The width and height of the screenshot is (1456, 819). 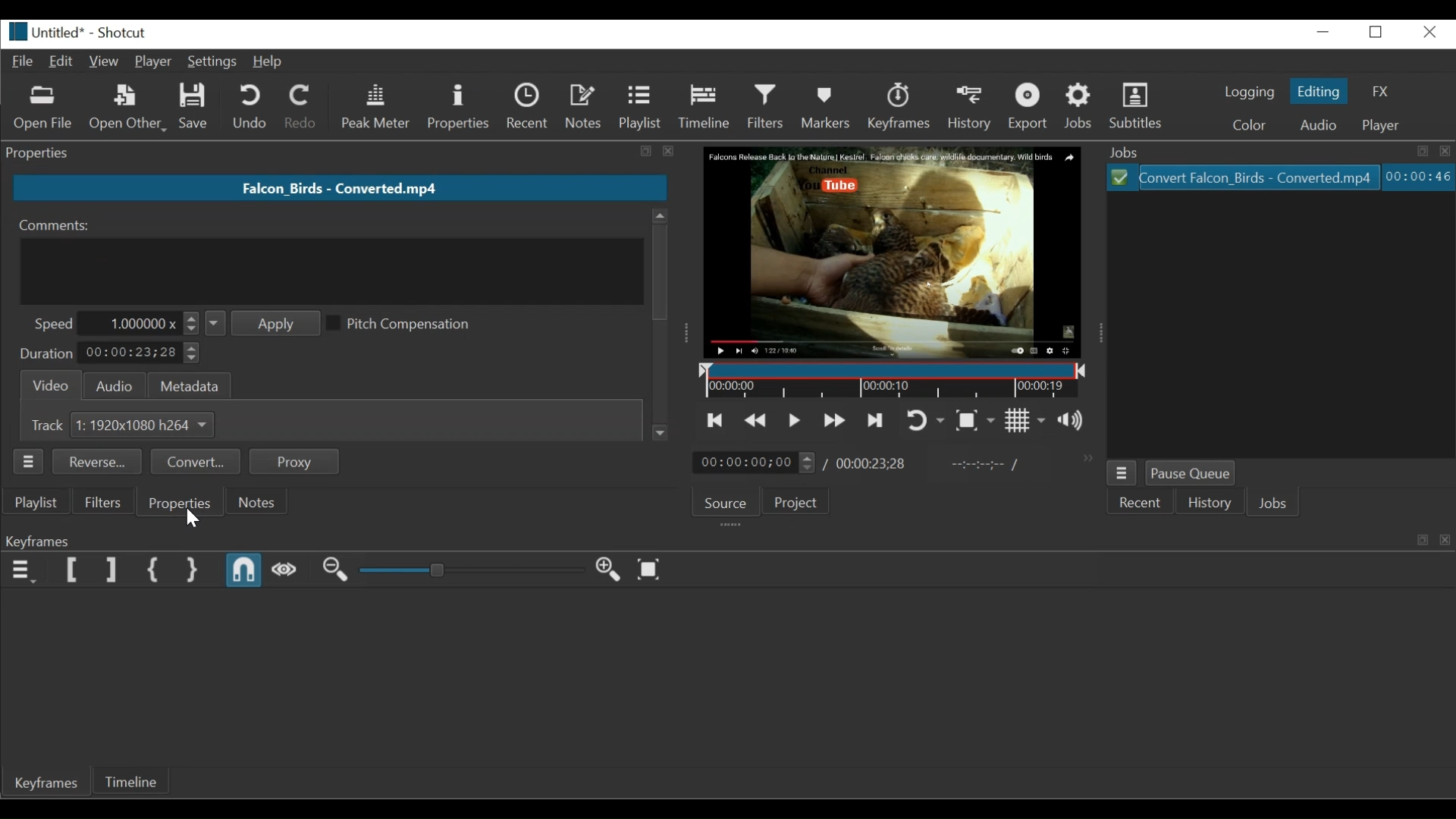 What do you see at coordinates (651, 570) in the screenshot?
I see `Zoom keyframe to fit` at bounding box center [651, 570].